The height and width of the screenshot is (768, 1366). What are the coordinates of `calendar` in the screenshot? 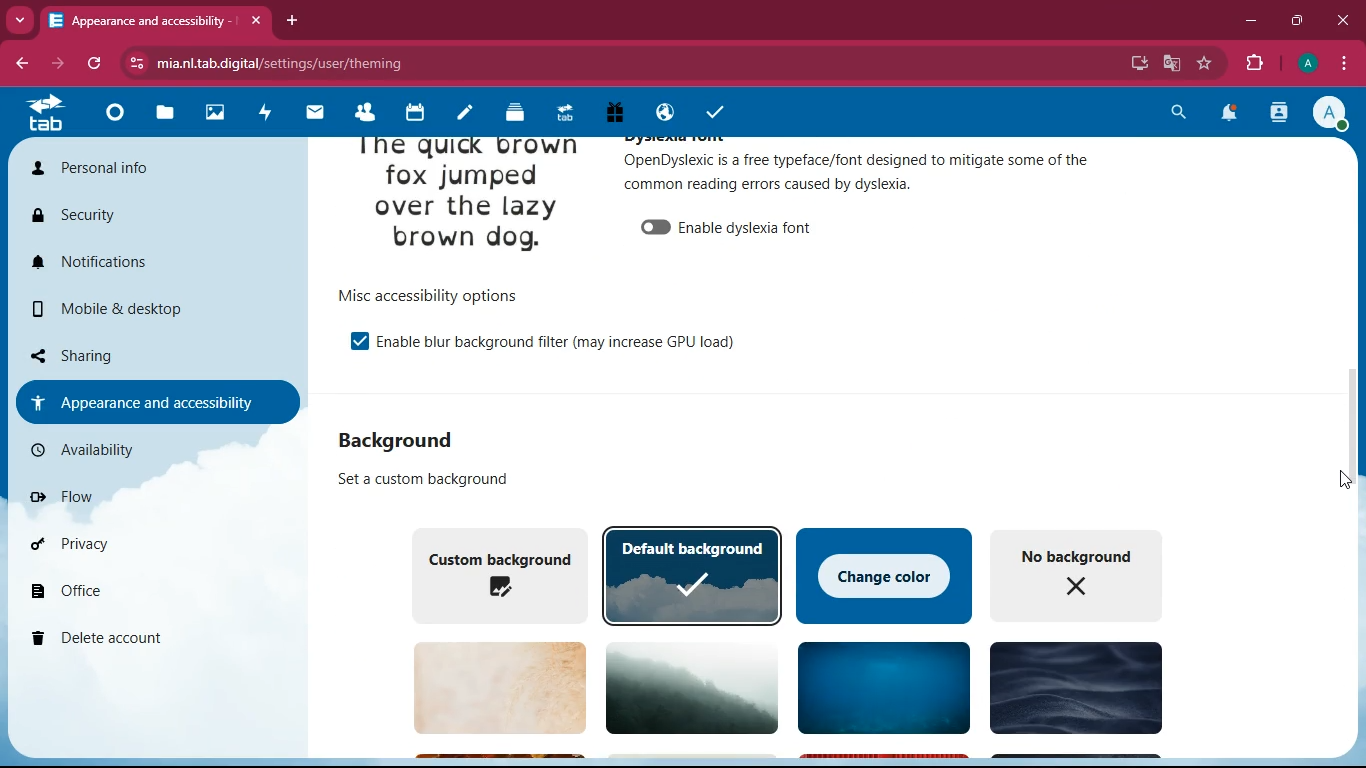 It's located at (412, 115).